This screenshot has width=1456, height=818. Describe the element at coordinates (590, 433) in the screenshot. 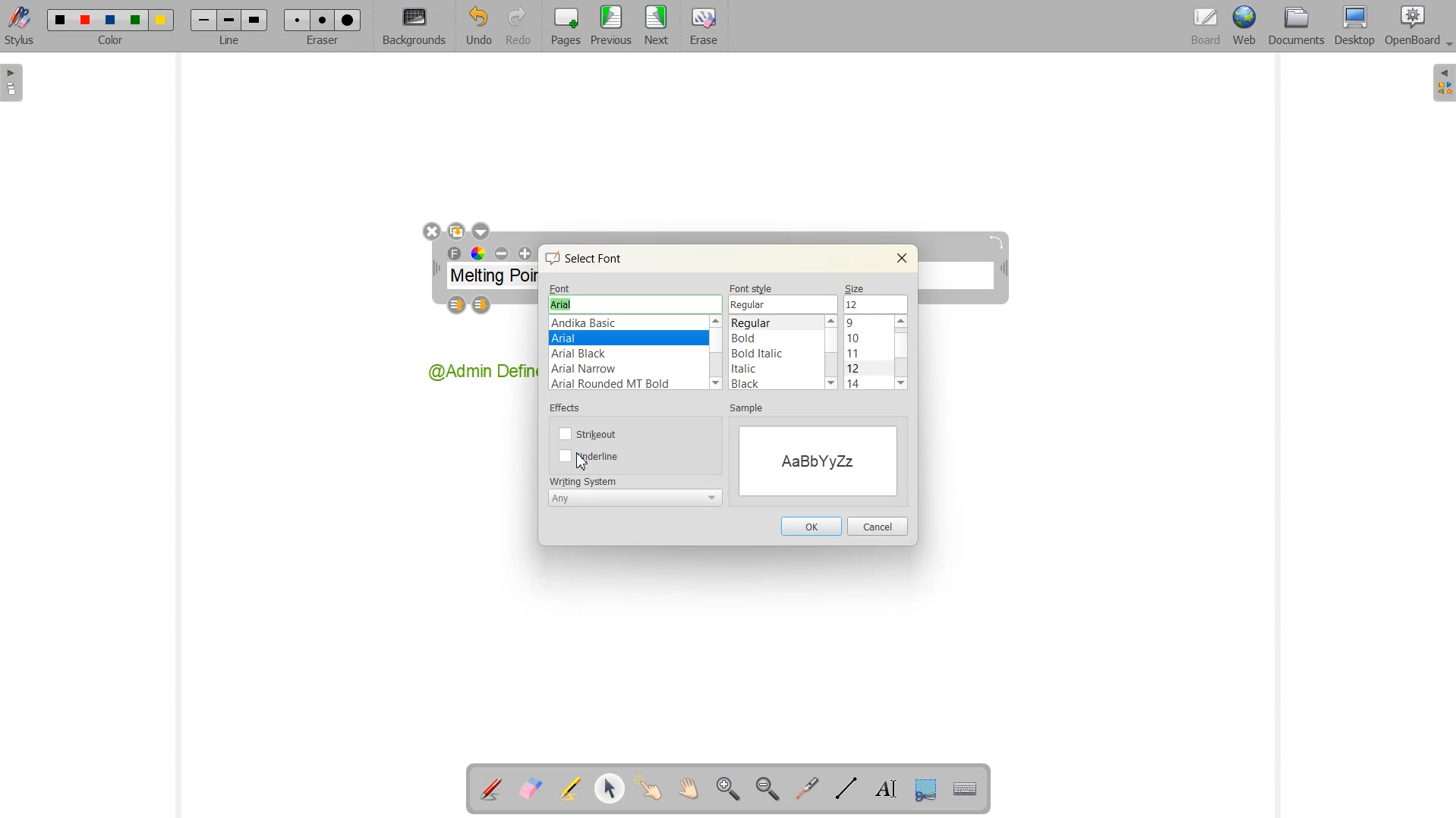

I see `Strikeout` at that location.